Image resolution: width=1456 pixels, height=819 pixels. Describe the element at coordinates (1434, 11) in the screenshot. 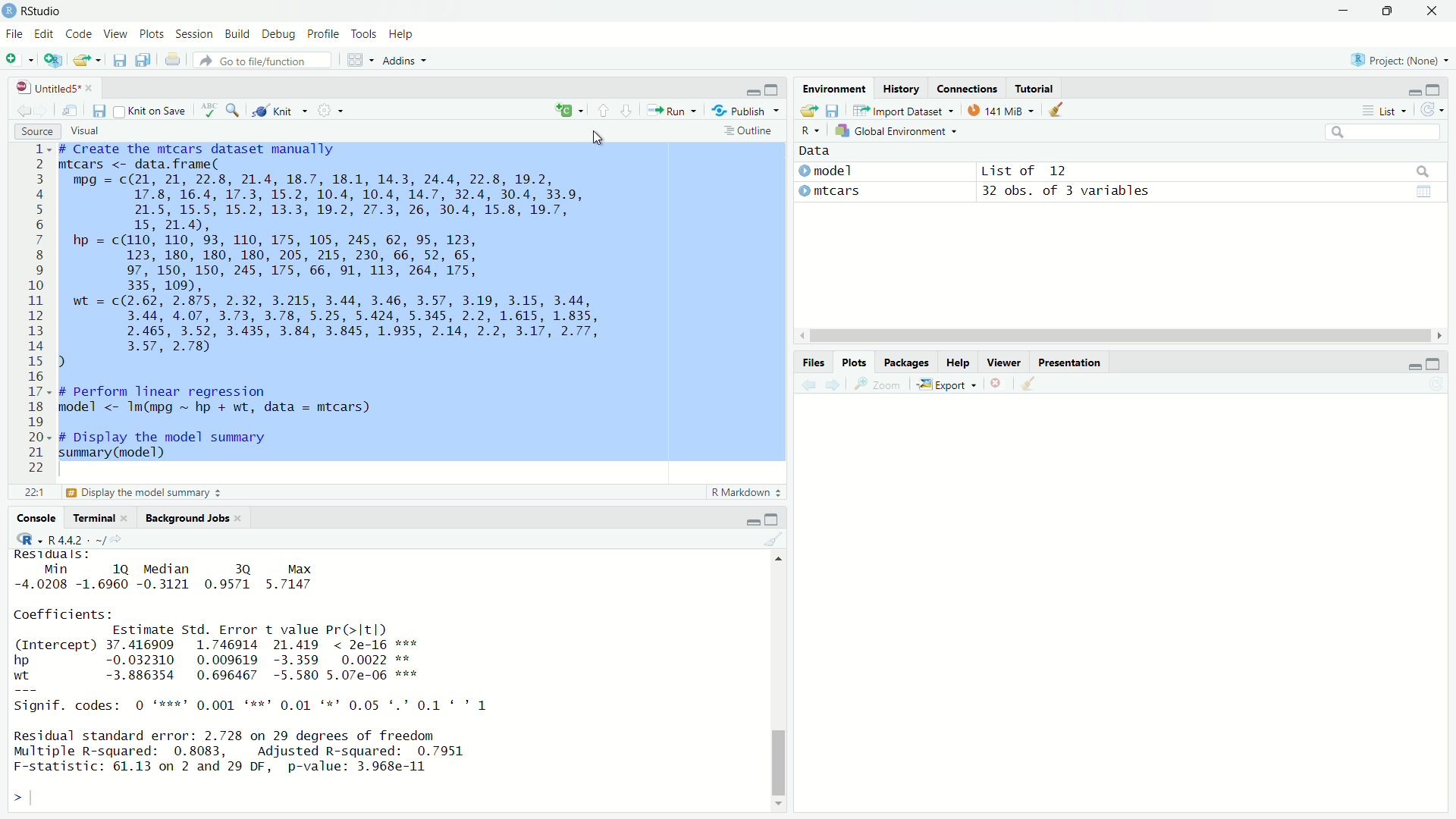

I see `close` at that location.